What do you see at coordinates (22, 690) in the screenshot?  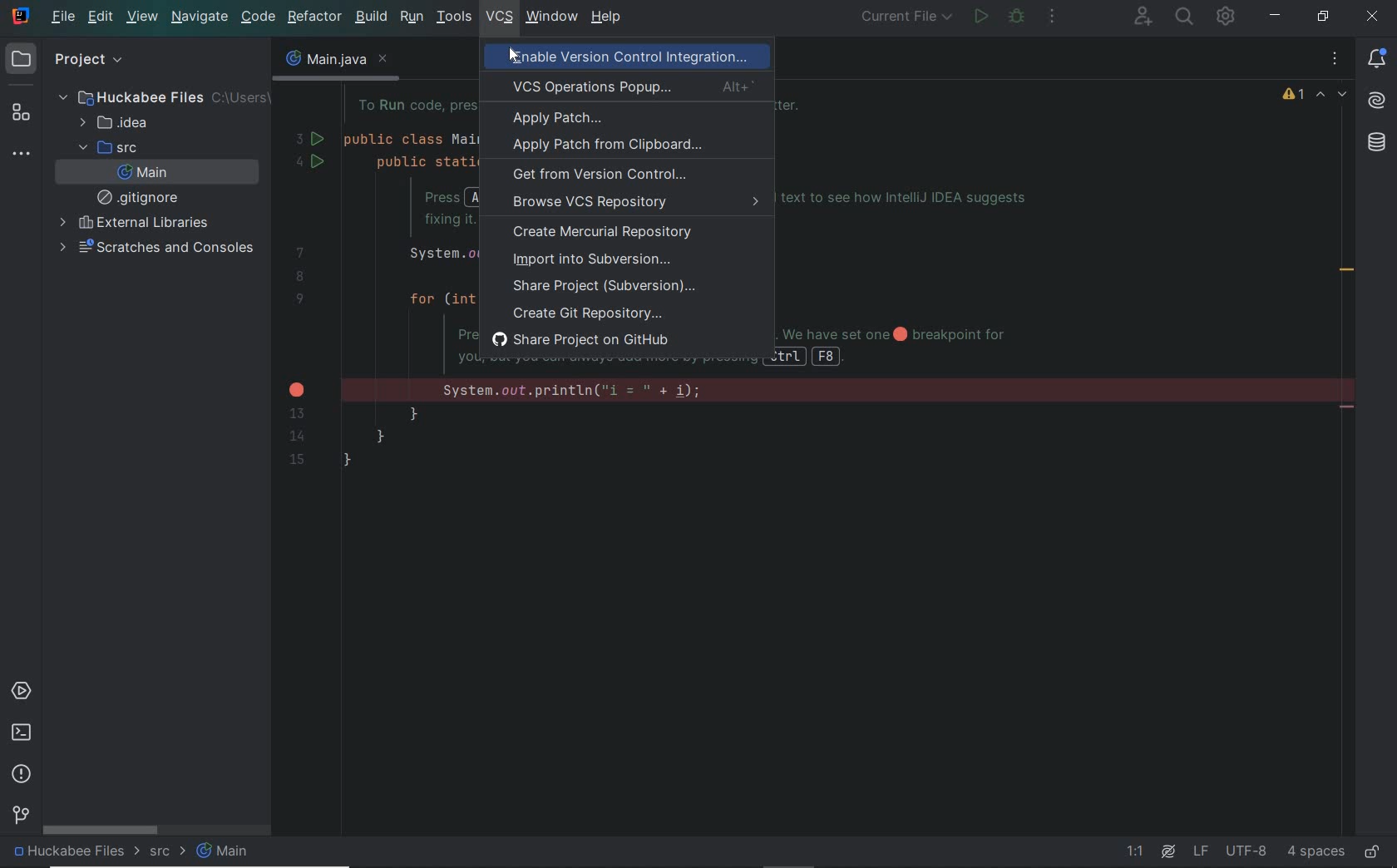 I see `services` at bounding box center [22, 690].